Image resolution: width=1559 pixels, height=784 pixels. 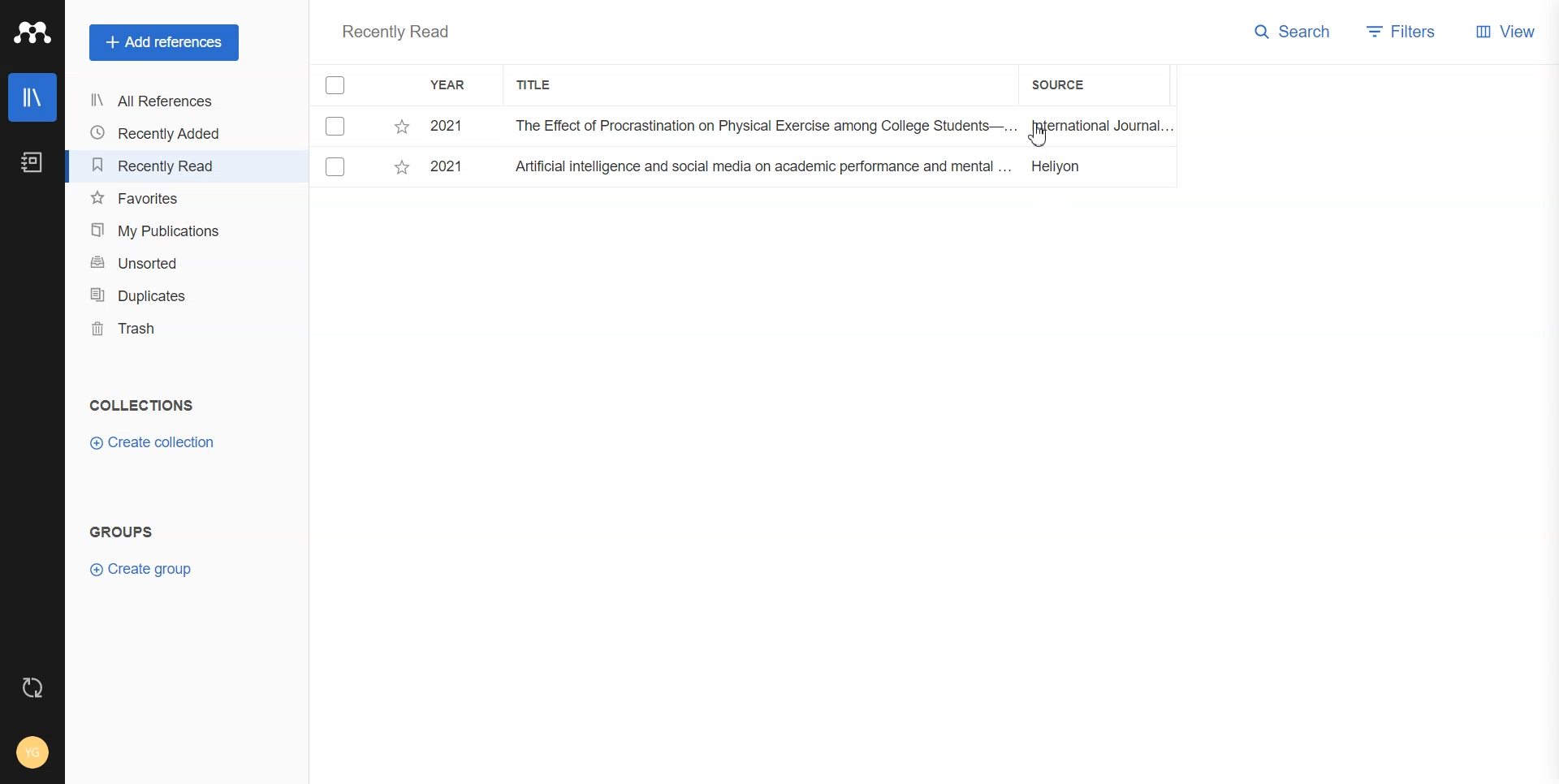 What do you see at coordinates (34, 751) in the screenshot?
I see `Account` at bounding box center [34, 751].